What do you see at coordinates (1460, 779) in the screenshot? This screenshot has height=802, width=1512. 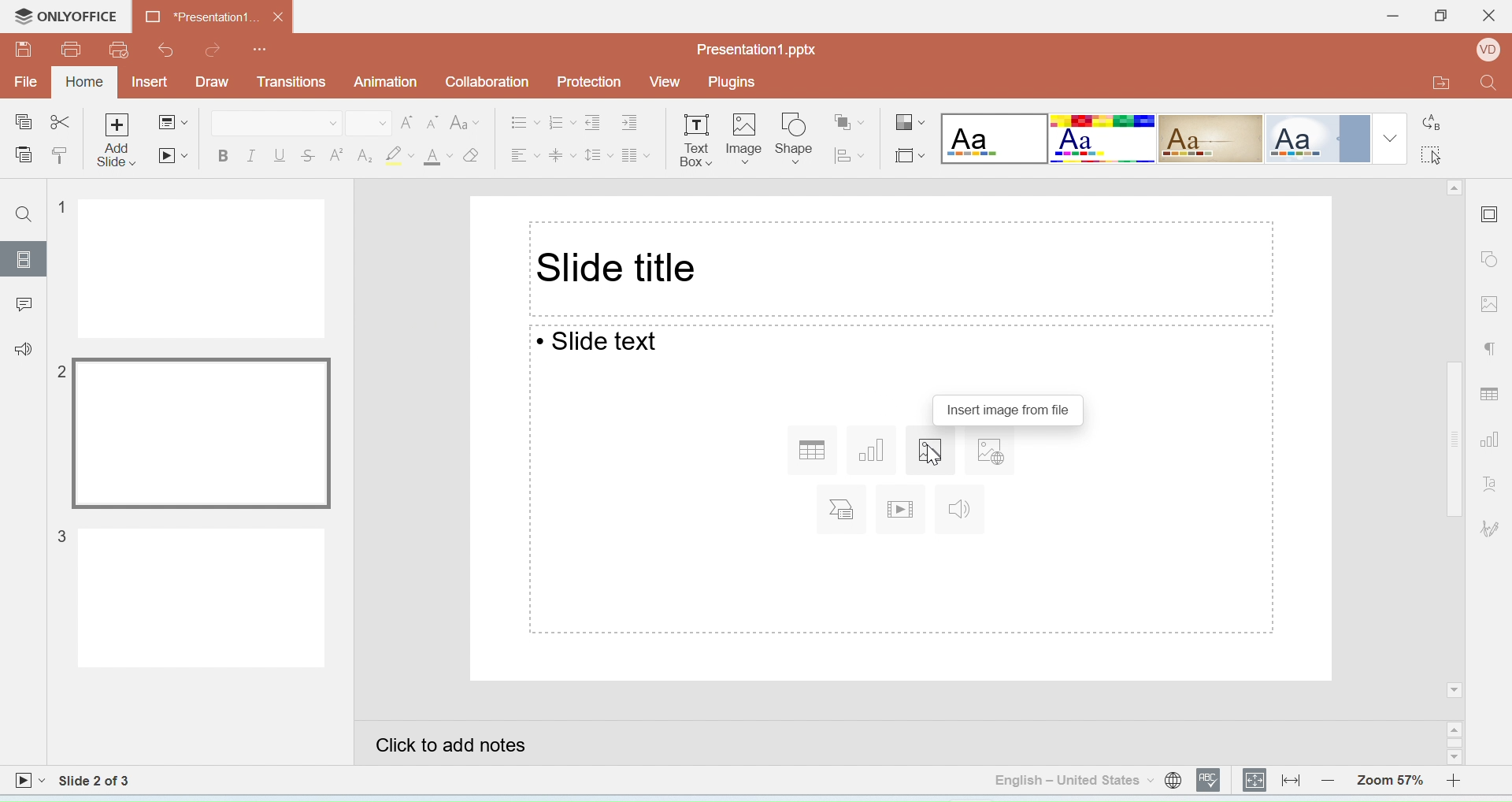 I see `Zoom in` at bounding box center [1460, 779].